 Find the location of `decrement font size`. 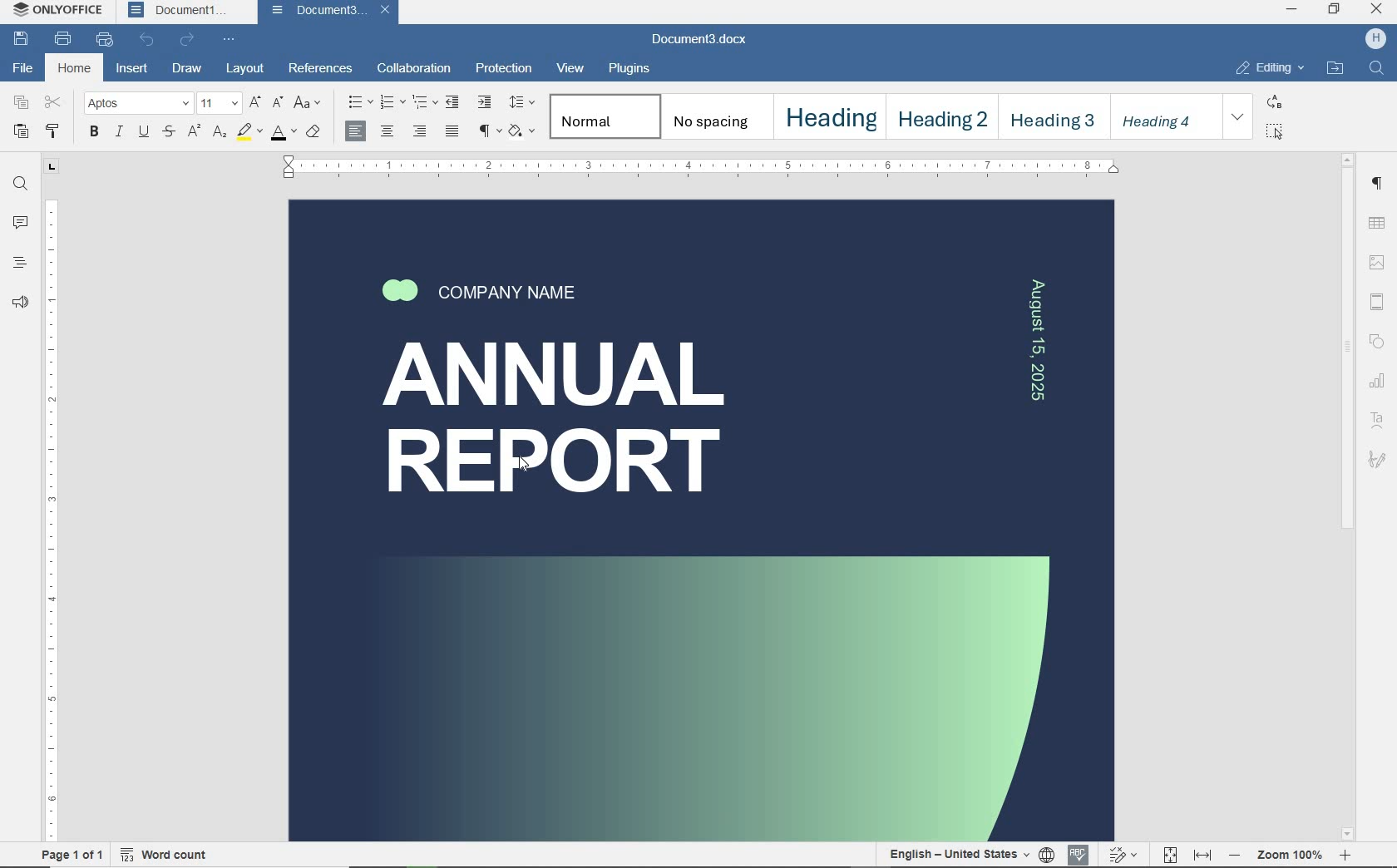

decrement font size is located at coordinates (278, 104).